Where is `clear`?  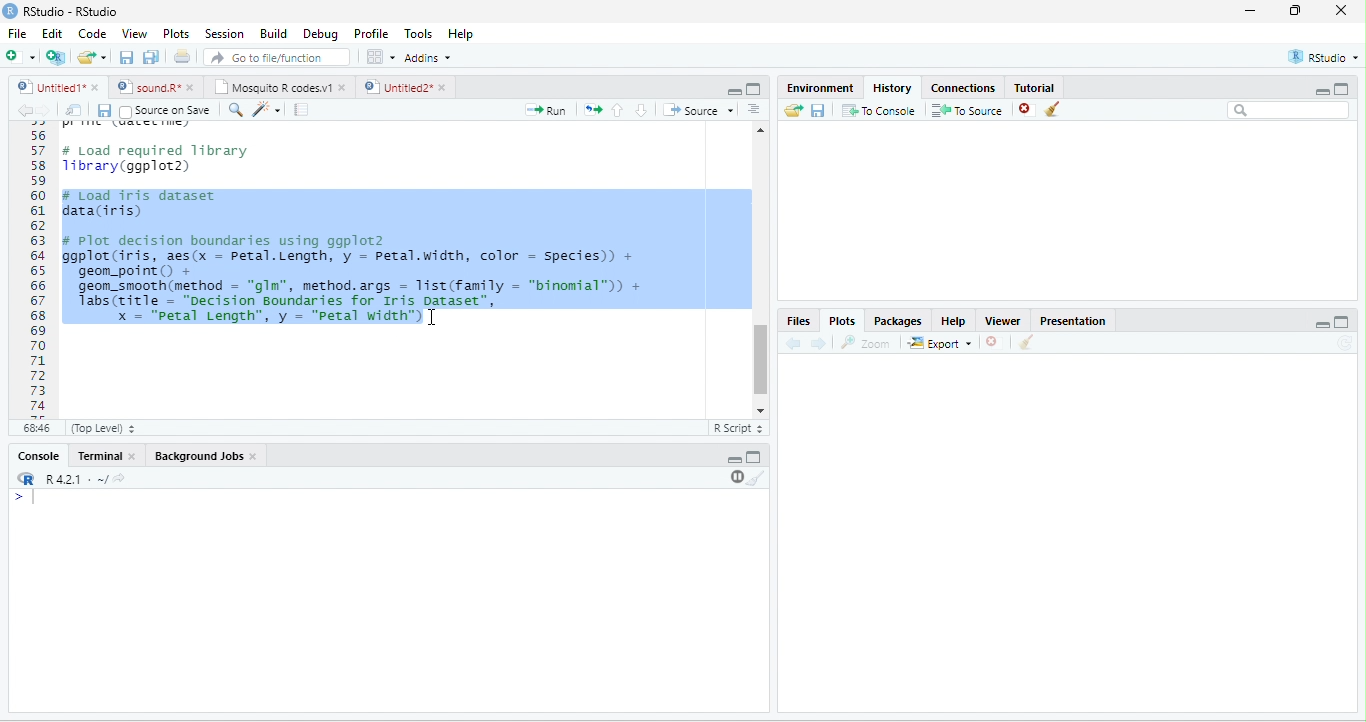 clear is located at coordinates (757, 478).